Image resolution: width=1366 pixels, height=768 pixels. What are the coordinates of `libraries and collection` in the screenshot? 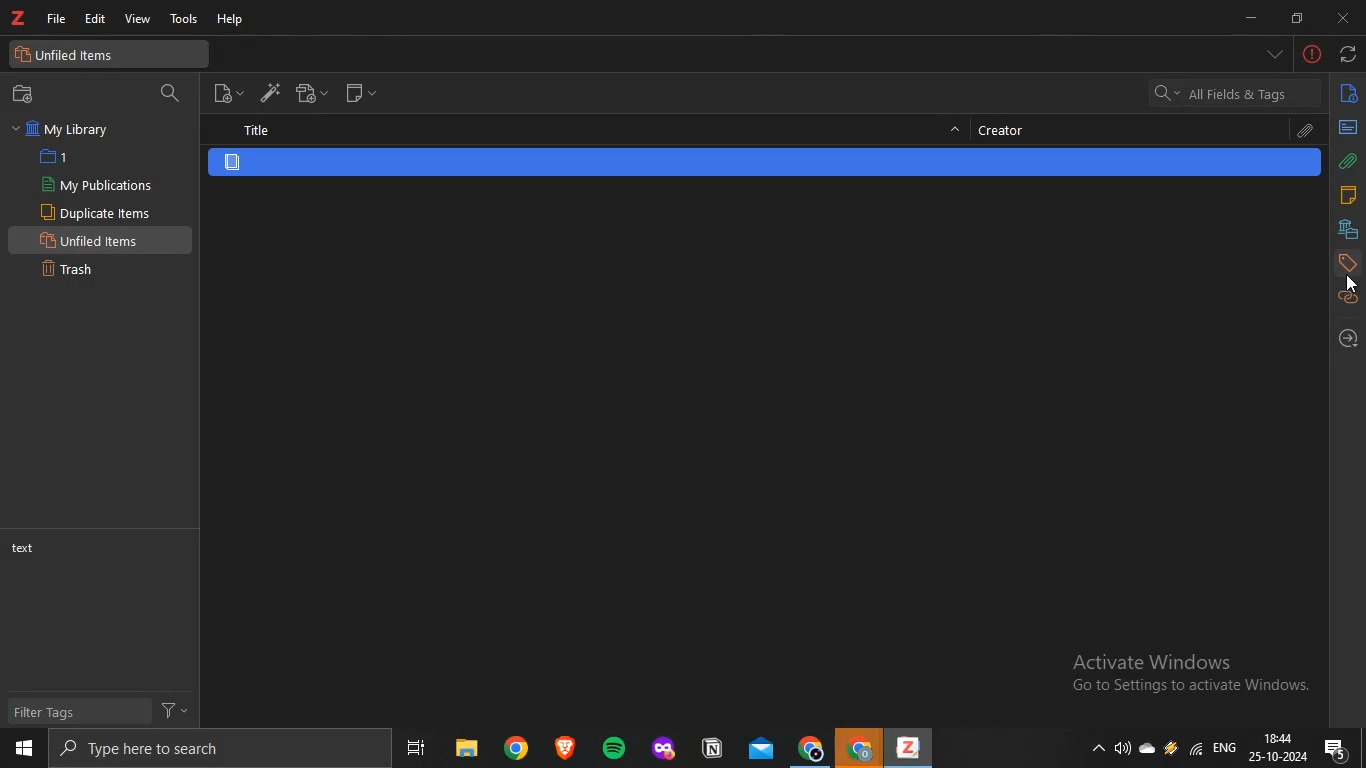 It's located at (1348, 230).